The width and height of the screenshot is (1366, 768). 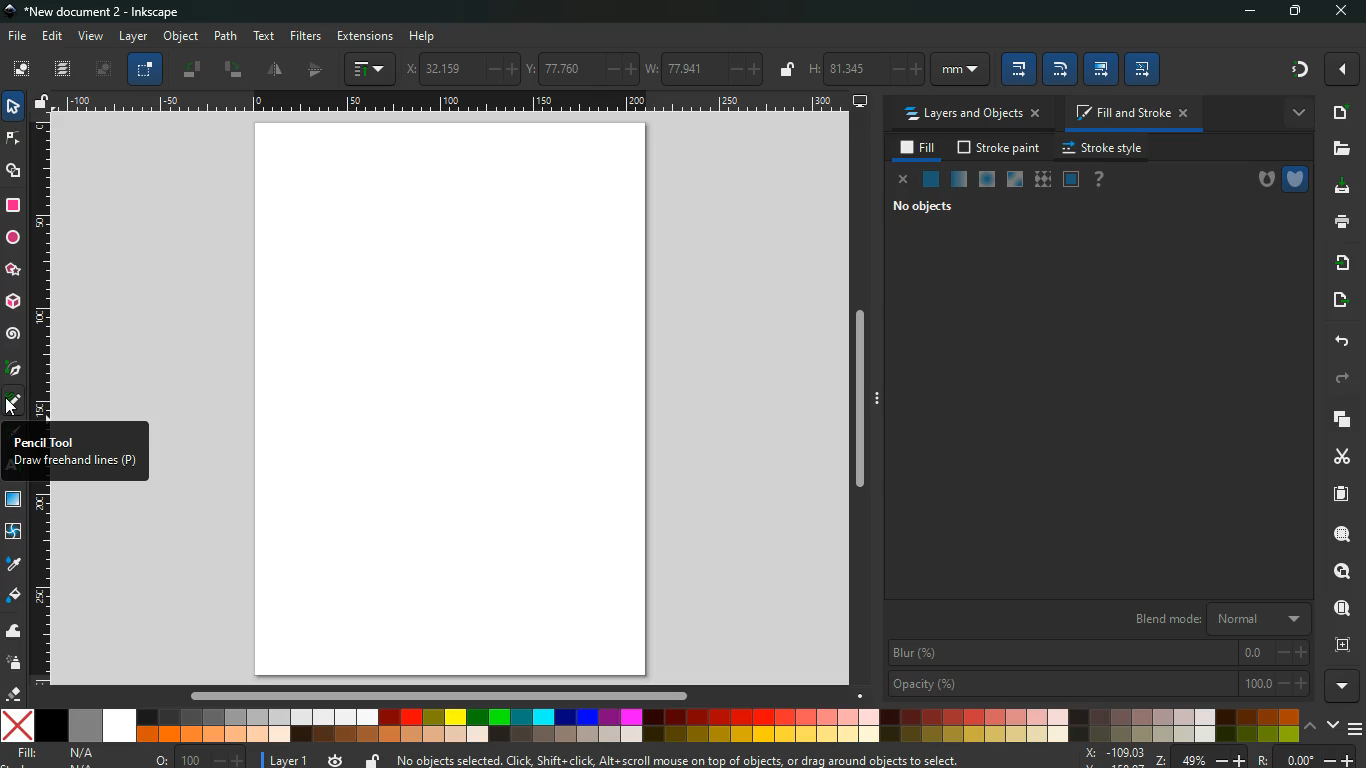 What do you see at coordinates (457, 400) in the screenshot?
I see `image` at bounding box center [457, 400].